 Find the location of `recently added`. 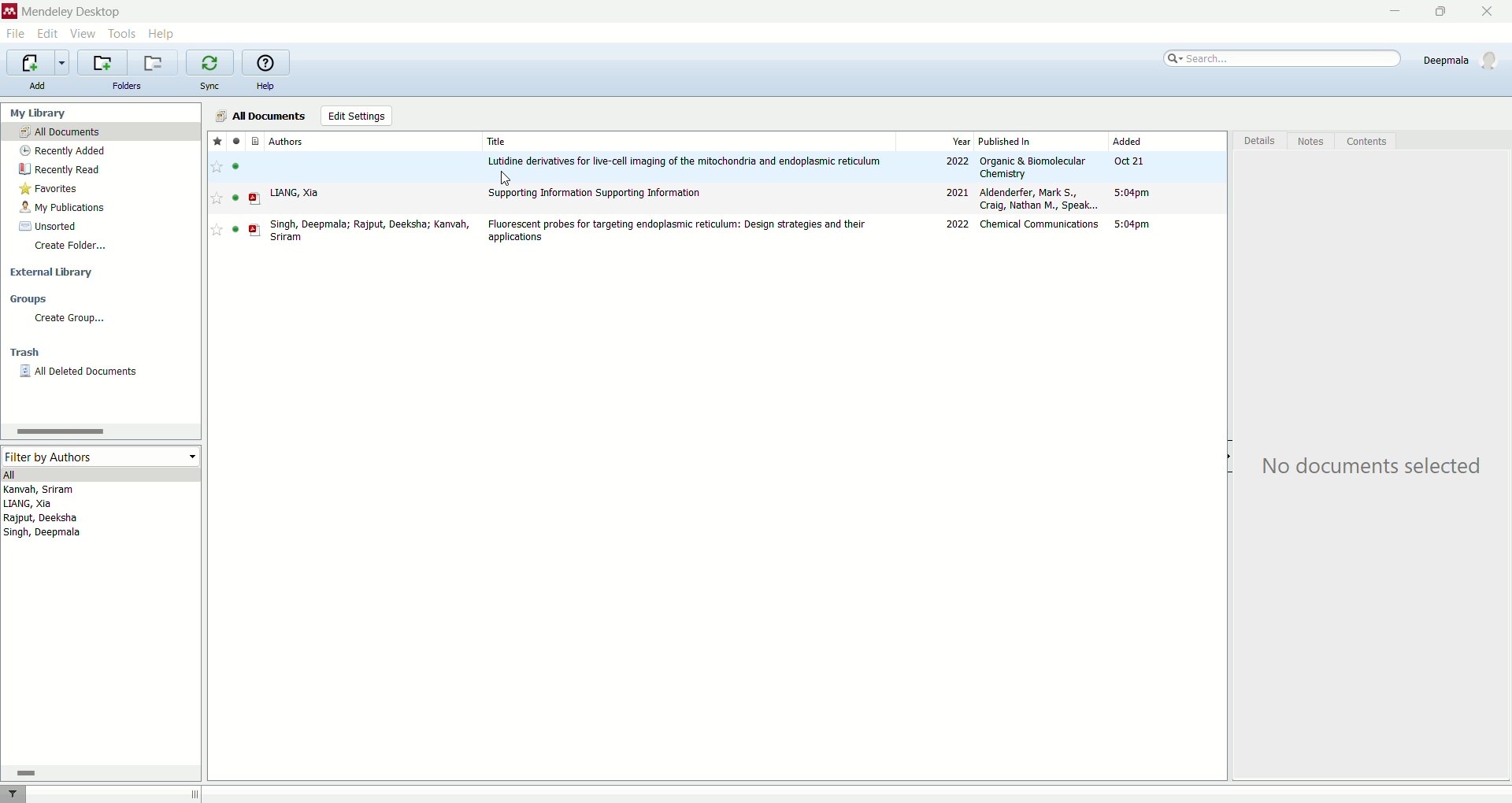

recently added is located at coordinates (61, 152).